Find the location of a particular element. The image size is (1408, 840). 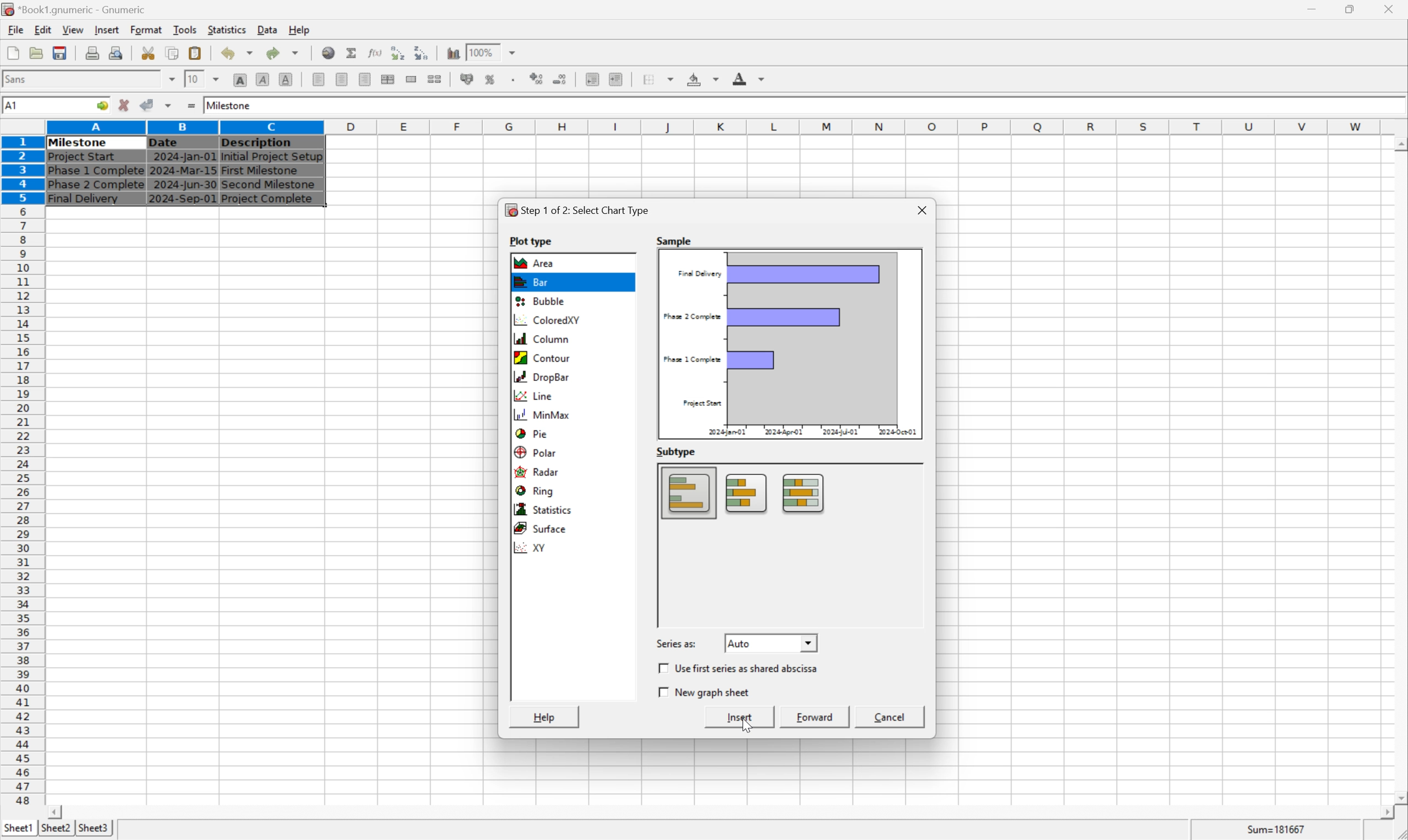

100% is located at coordinates (481, 50).